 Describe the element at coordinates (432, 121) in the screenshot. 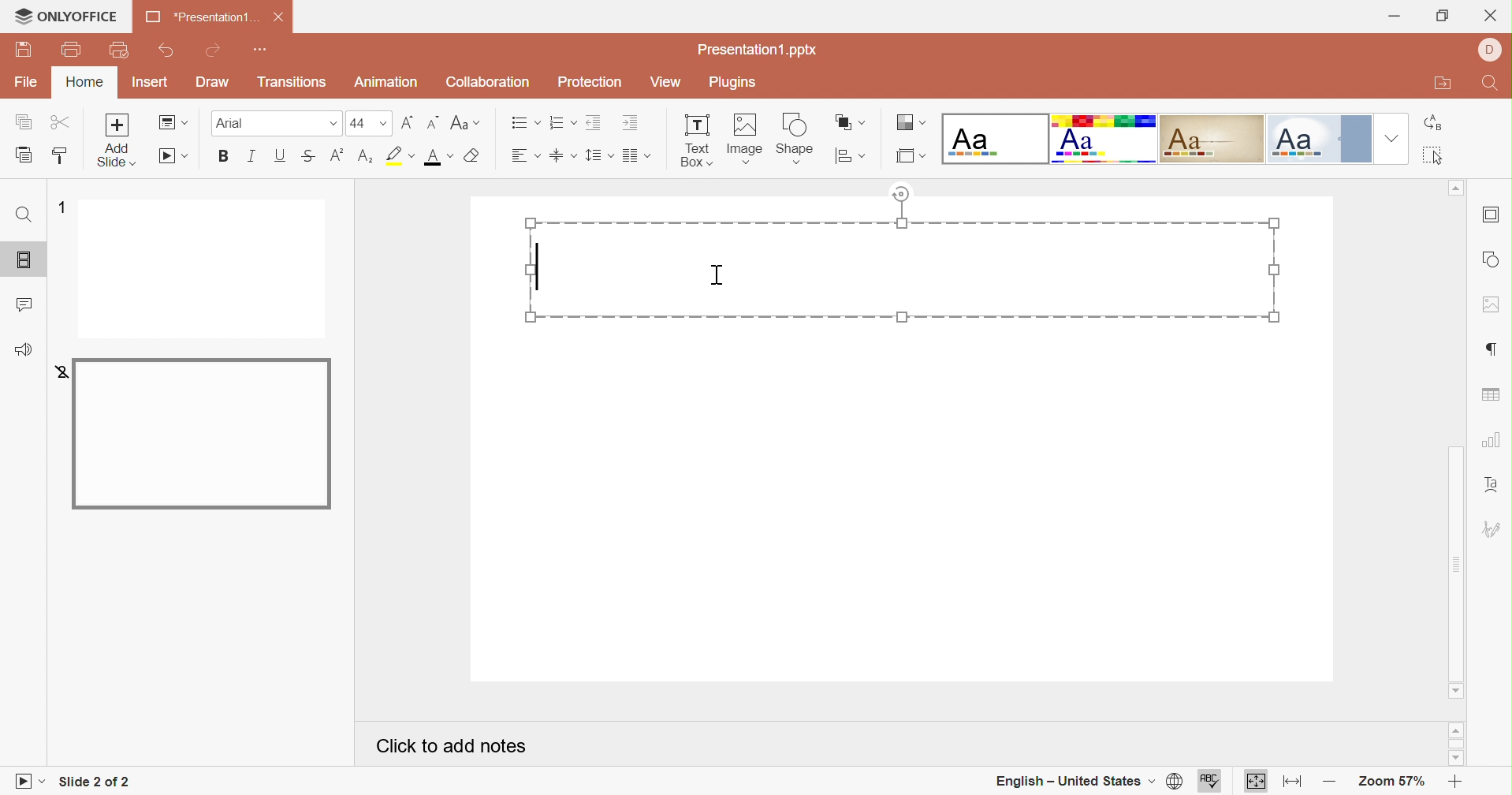

I see `Decrement font size` at that location.